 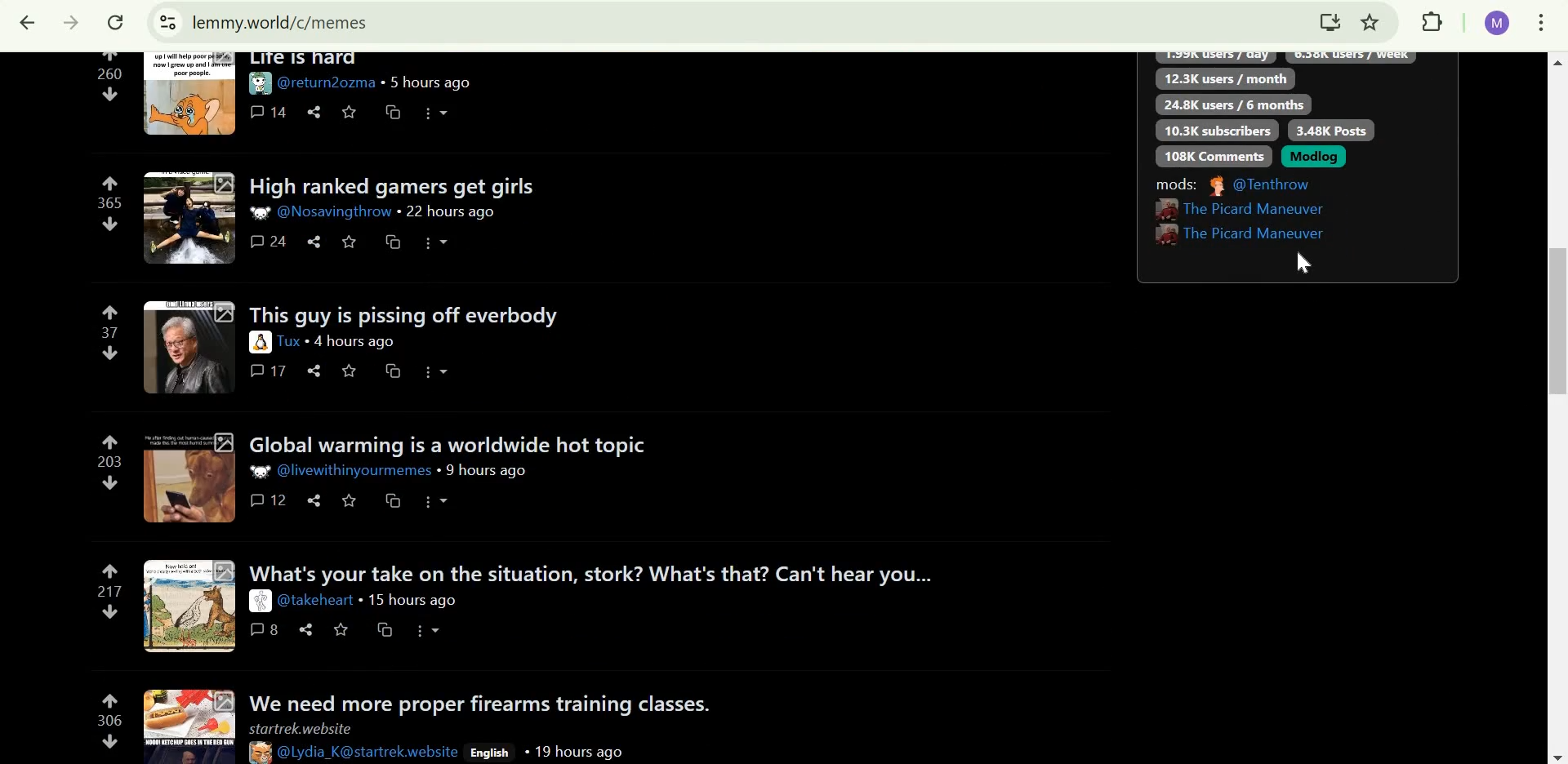 What do you see at coordinates (110, 333) in the screenshot?
I see `37 points` at bounding box center [110, 333].